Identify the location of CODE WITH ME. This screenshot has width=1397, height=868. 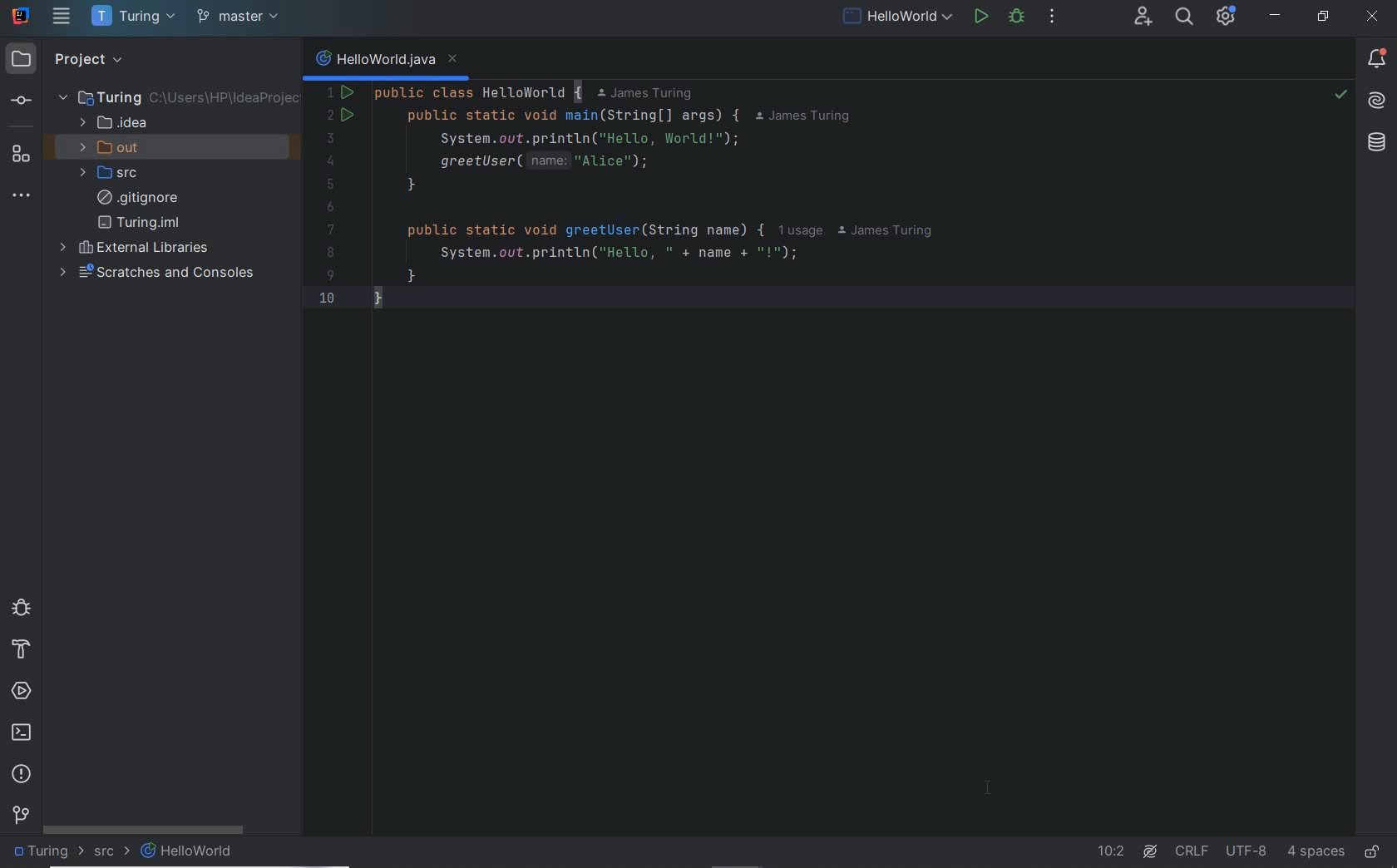
(1142, 17).